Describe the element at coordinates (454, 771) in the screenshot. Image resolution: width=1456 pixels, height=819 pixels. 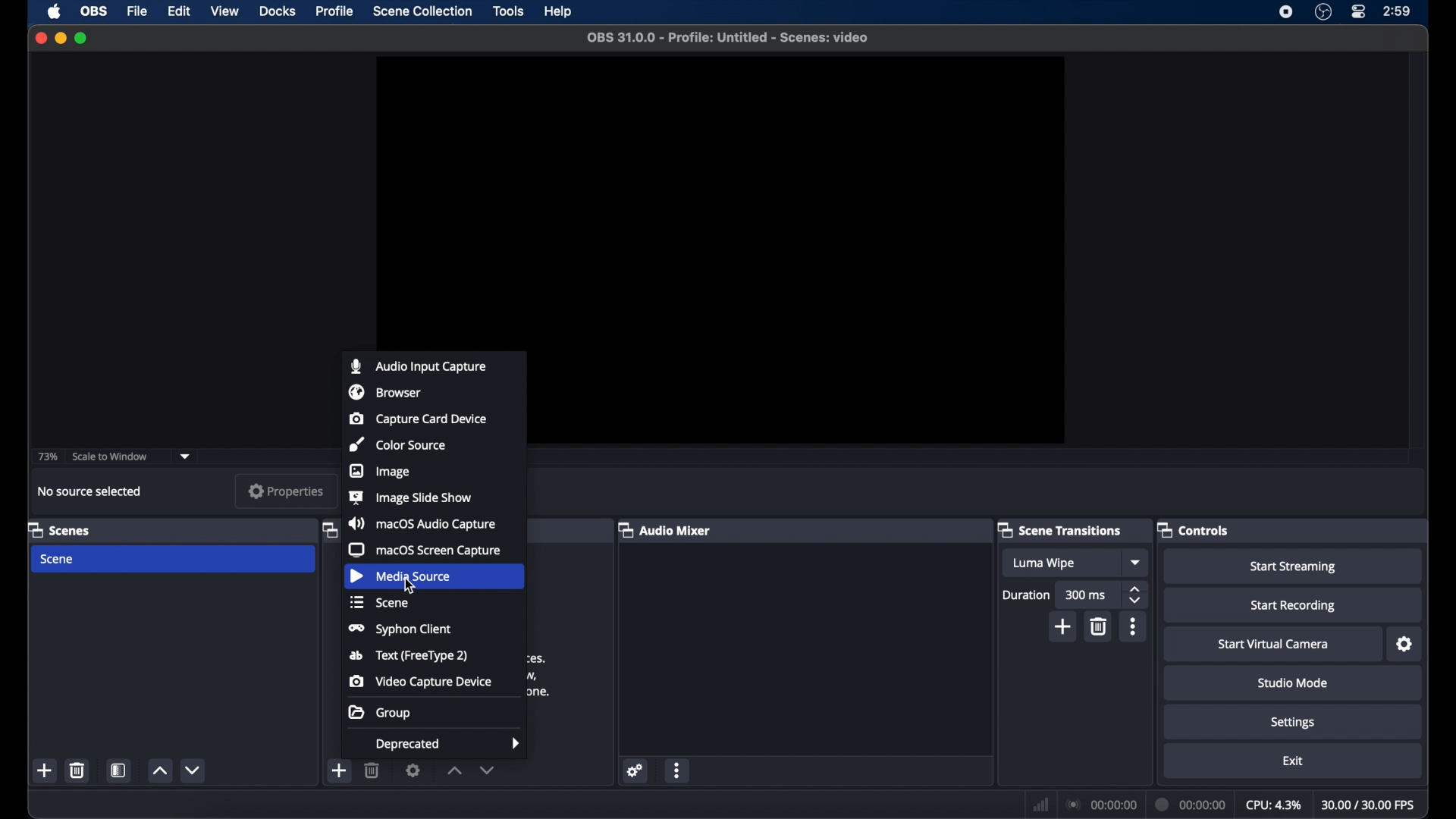
I see `increment` at that location.